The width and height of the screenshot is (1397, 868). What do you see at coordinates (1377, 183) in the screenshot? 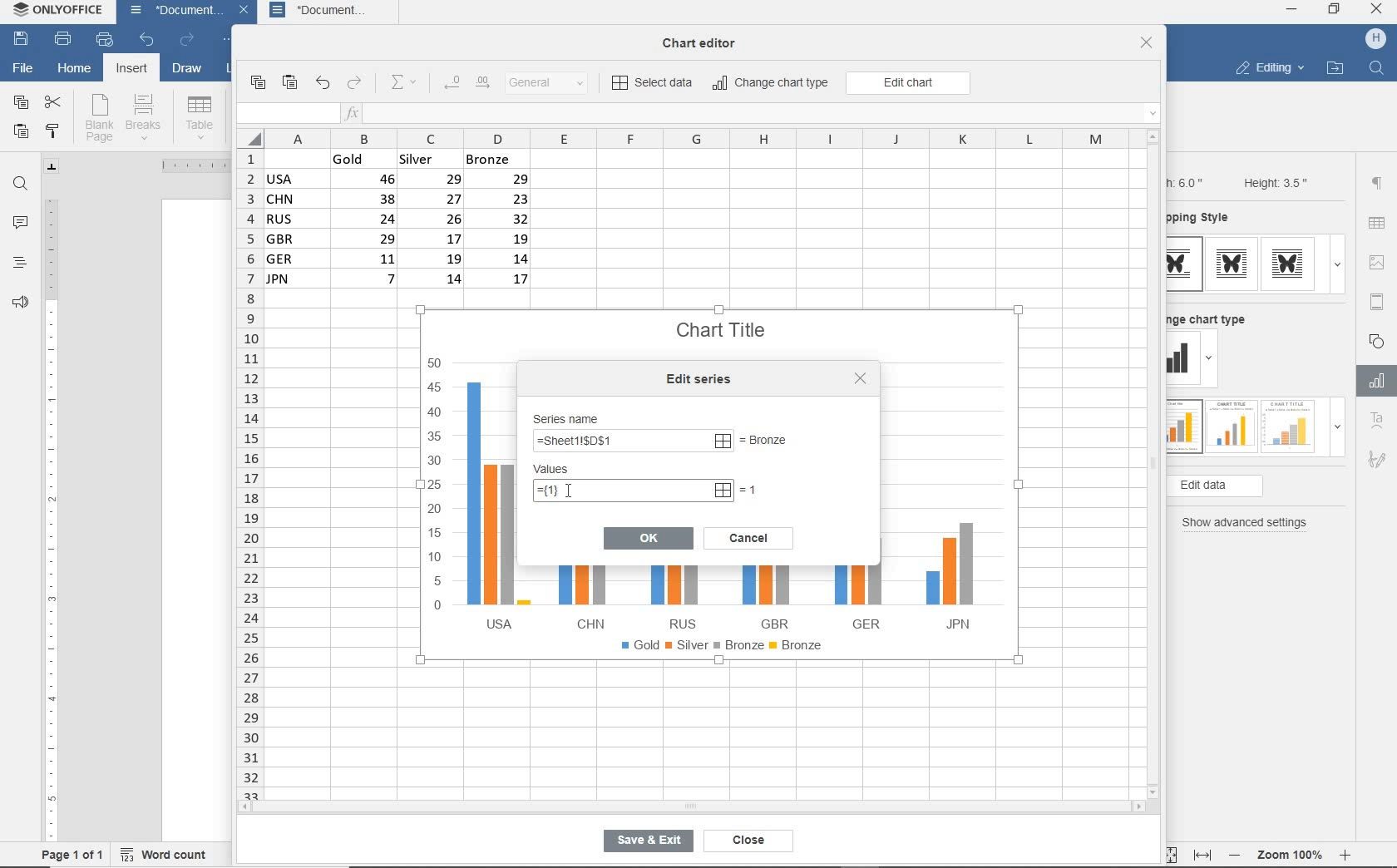
I see `paragraph settings` at bounding box center [1377, 183].